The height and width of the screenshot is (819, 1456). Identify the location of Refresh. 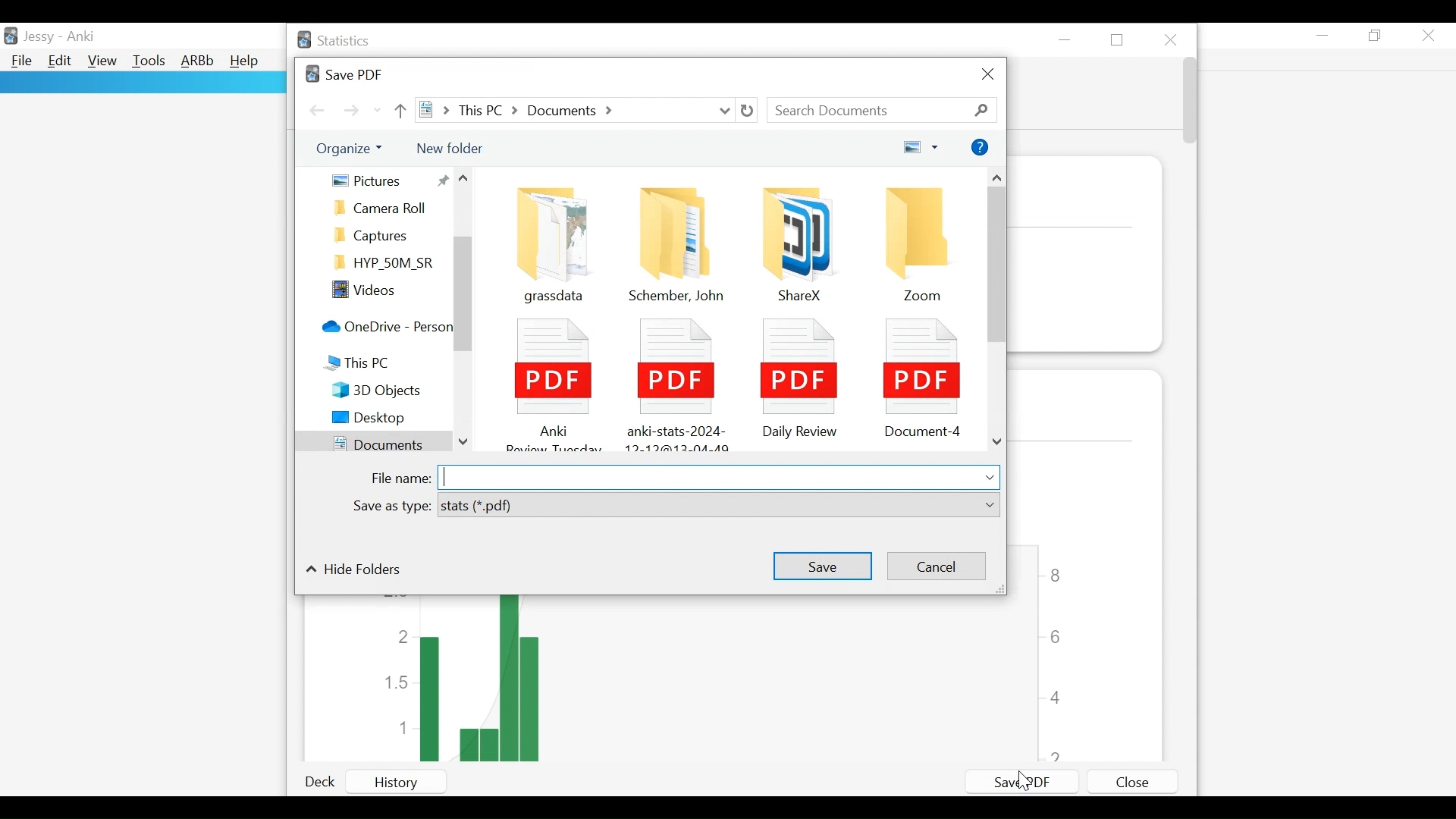
(748, 111).